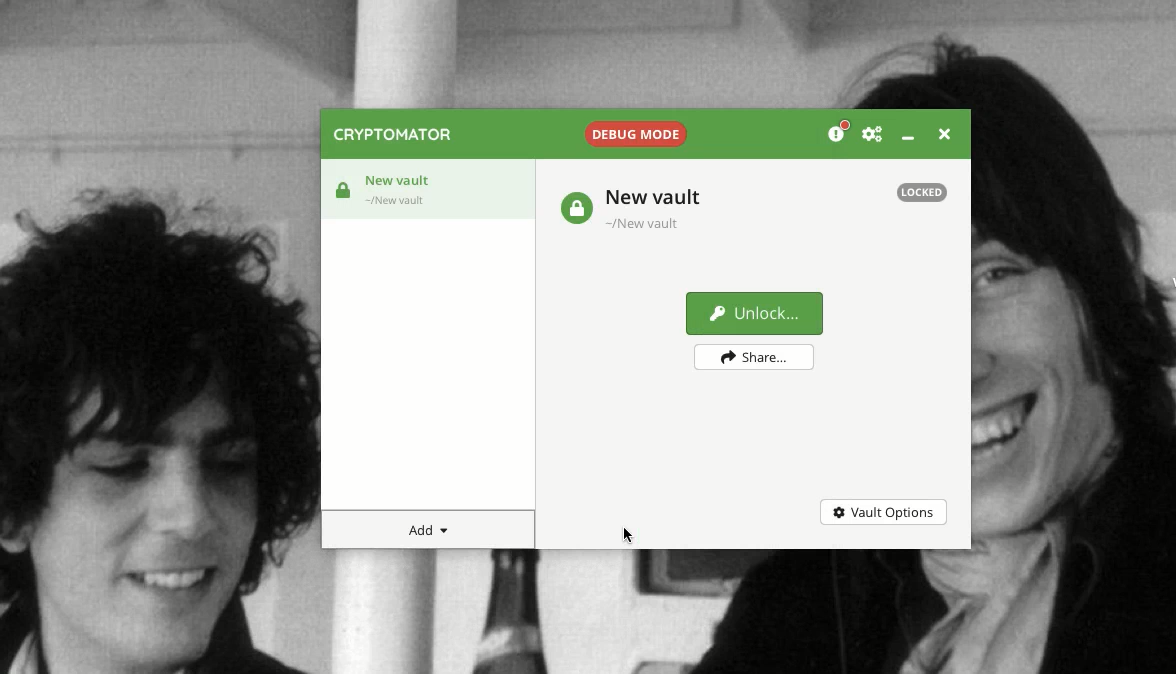 The width and height of the screenshot is (1176, 674). Describe the element at coordinates (873, 134) in the screenshot. I see `Preferences` at that location.